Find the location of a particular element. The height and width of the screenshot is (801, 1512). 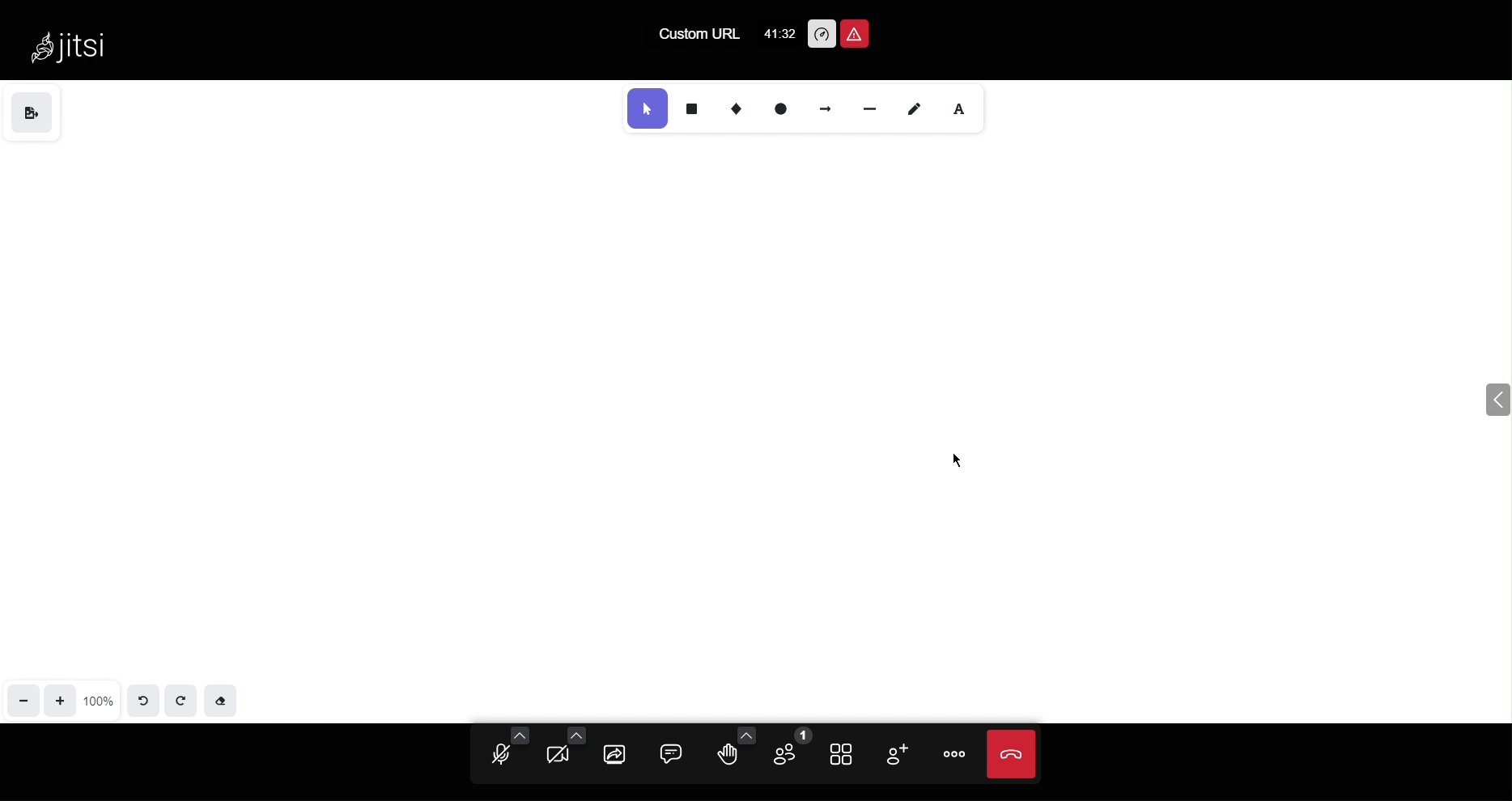

Rotate CW is located at coordinates (179, 699).